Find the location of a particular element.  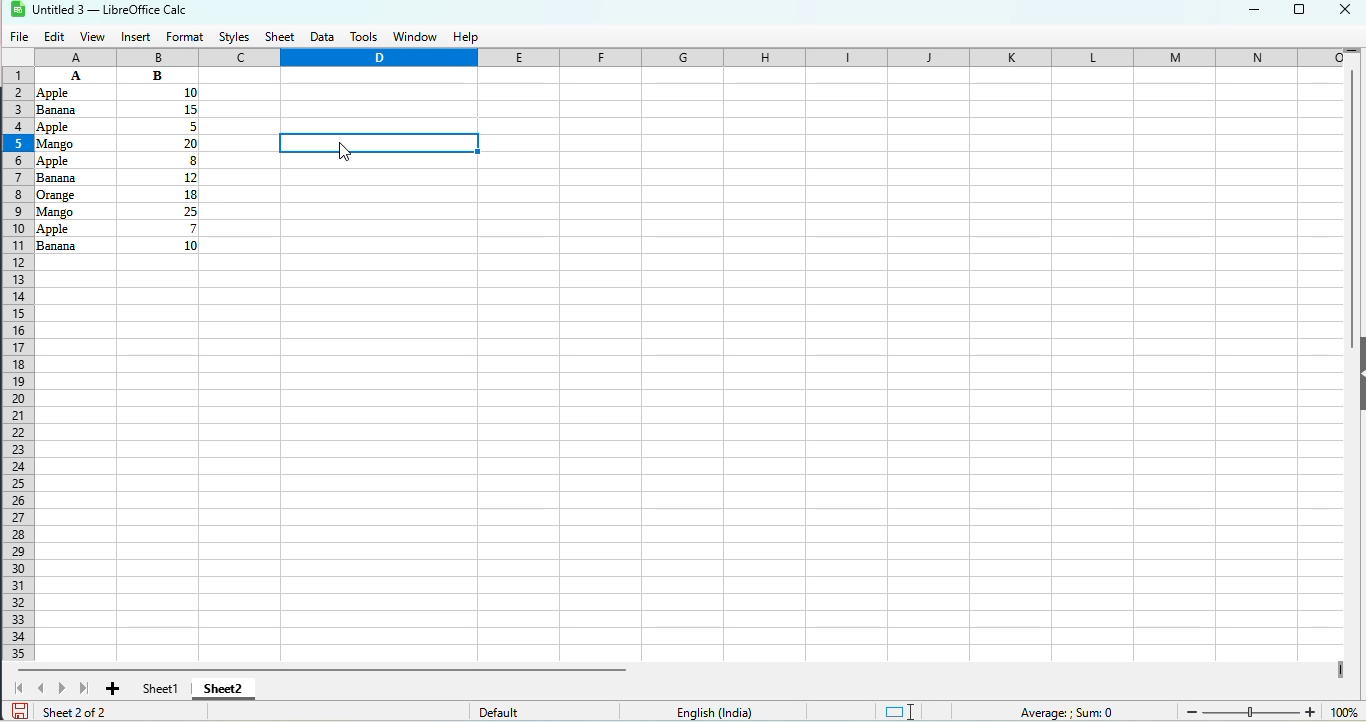

columns is located at coordinates (692, 57).